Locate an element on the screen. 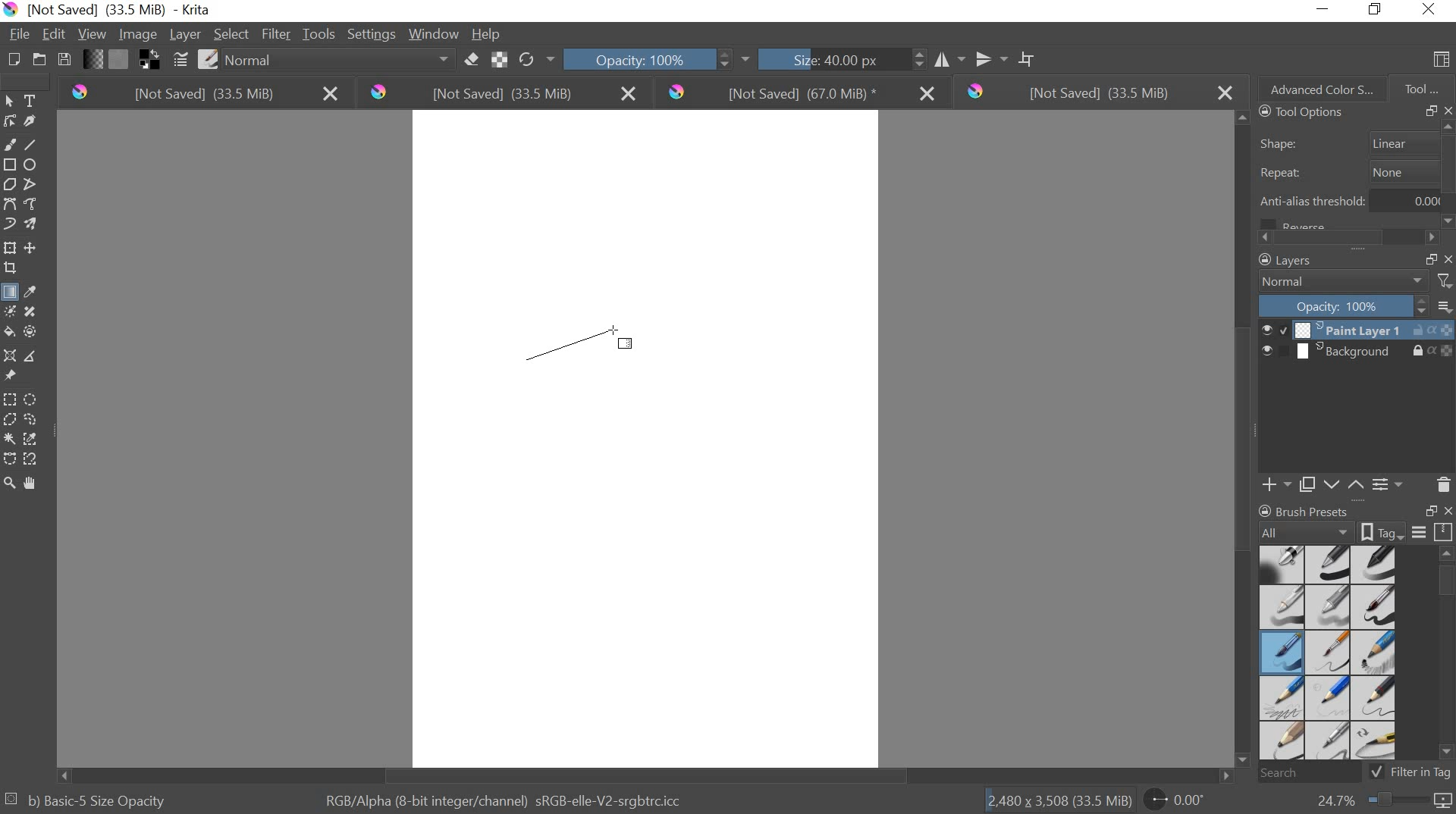 The image size is (1456, 814). [not saved] (33.5 mb) is located at coordinates (199, 95).